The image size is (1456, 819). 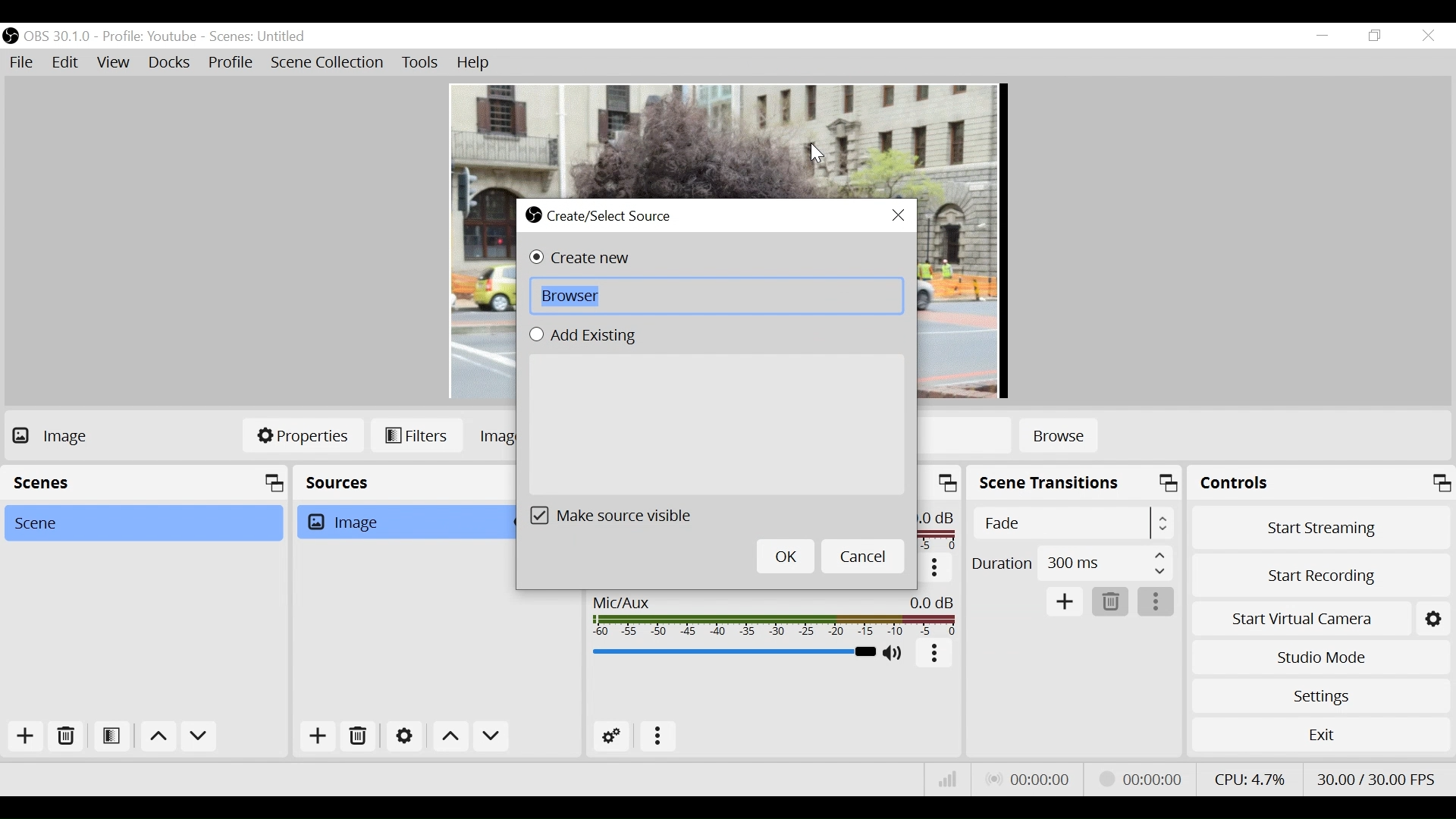 What do you see at coordinates (940, 570) in the screenshot?
I see `More options` at bounding box center [940, 570].